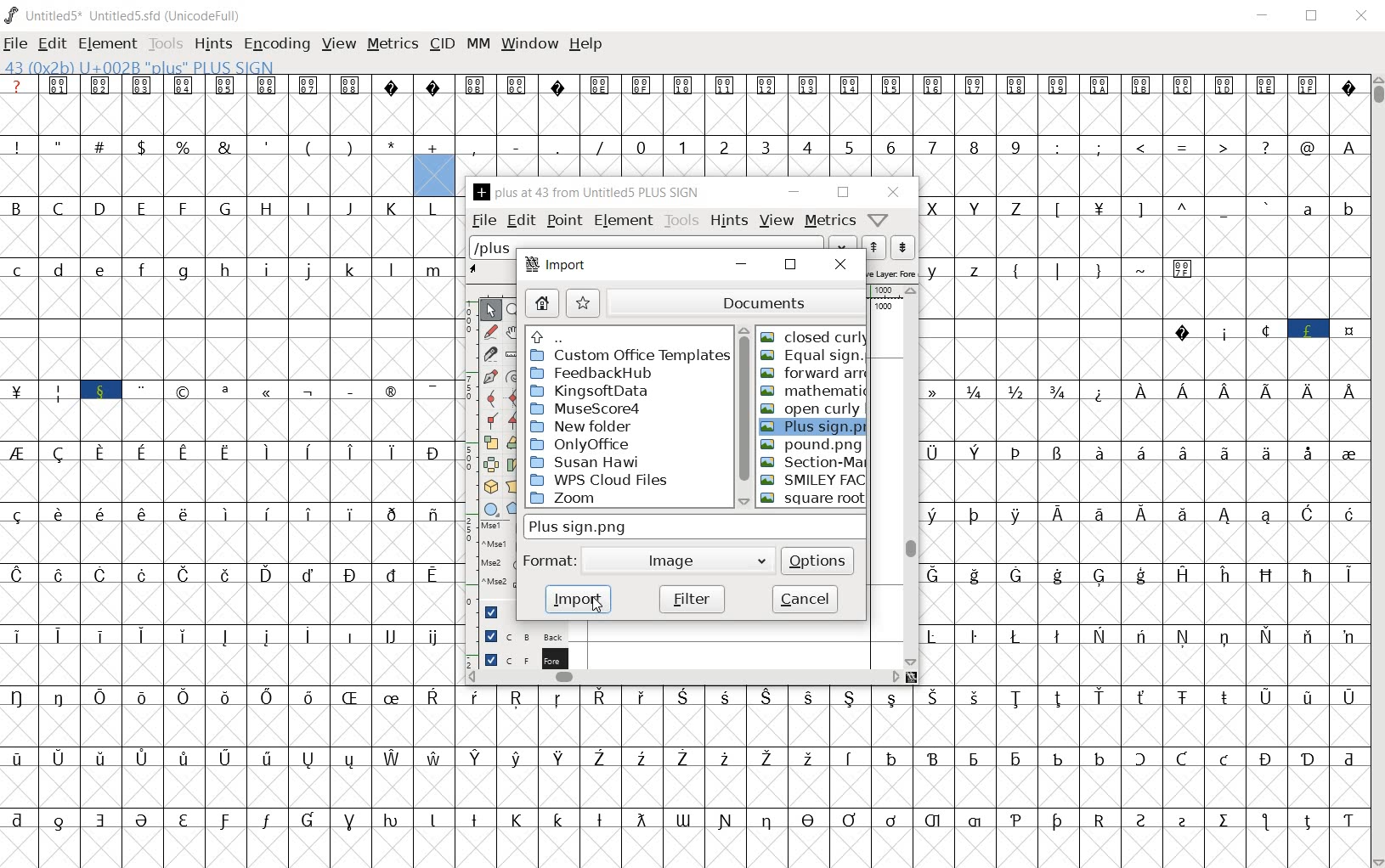 The height and width of the screenshot is (868, 1385). Describe the element at coordinates (514, 397) in the screenshot. I see `add a curve point always either horizontal or vertical` at that location.